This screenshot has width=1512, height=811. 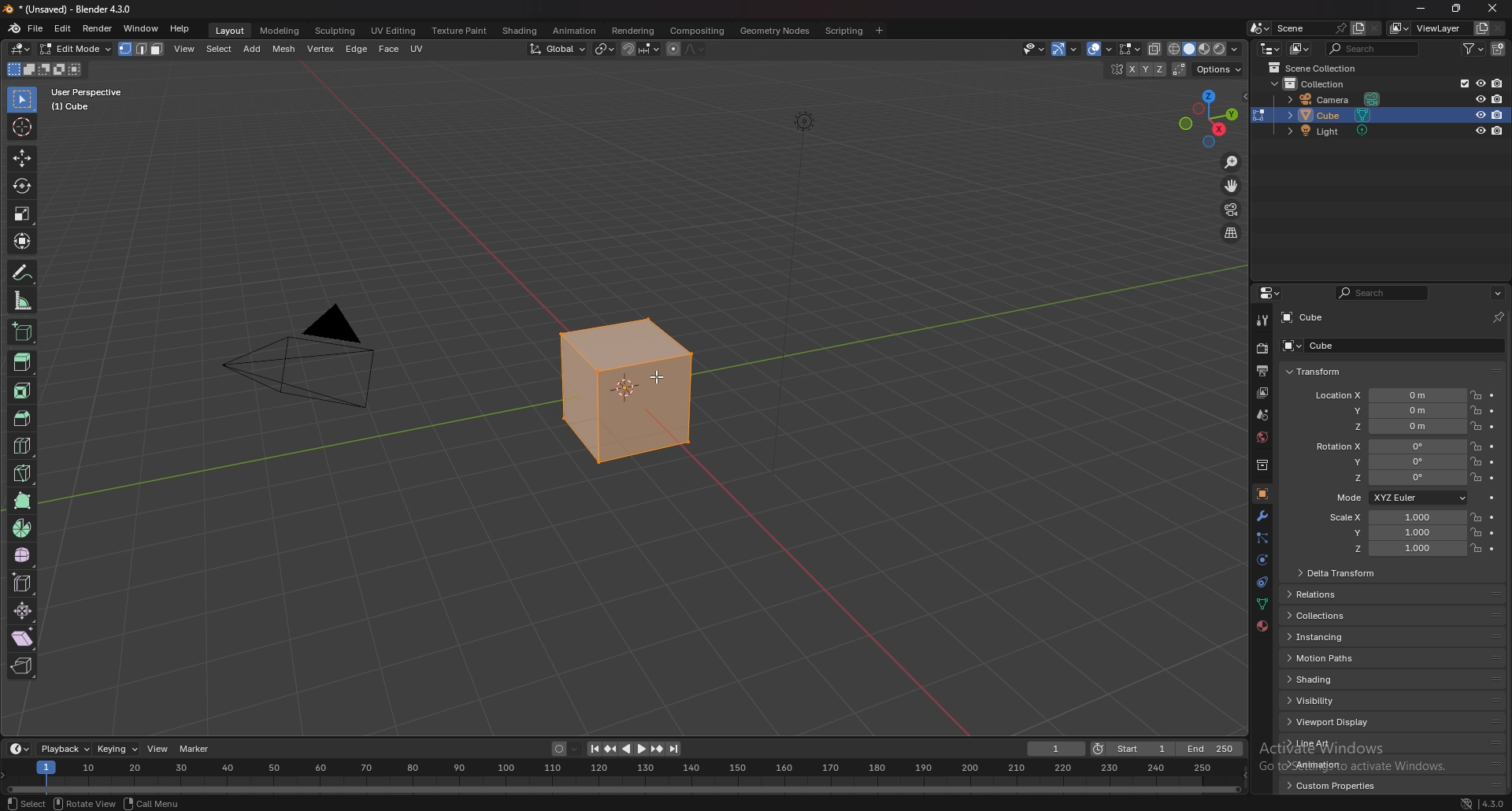 I want to click on move, so click(x=21, y=158).